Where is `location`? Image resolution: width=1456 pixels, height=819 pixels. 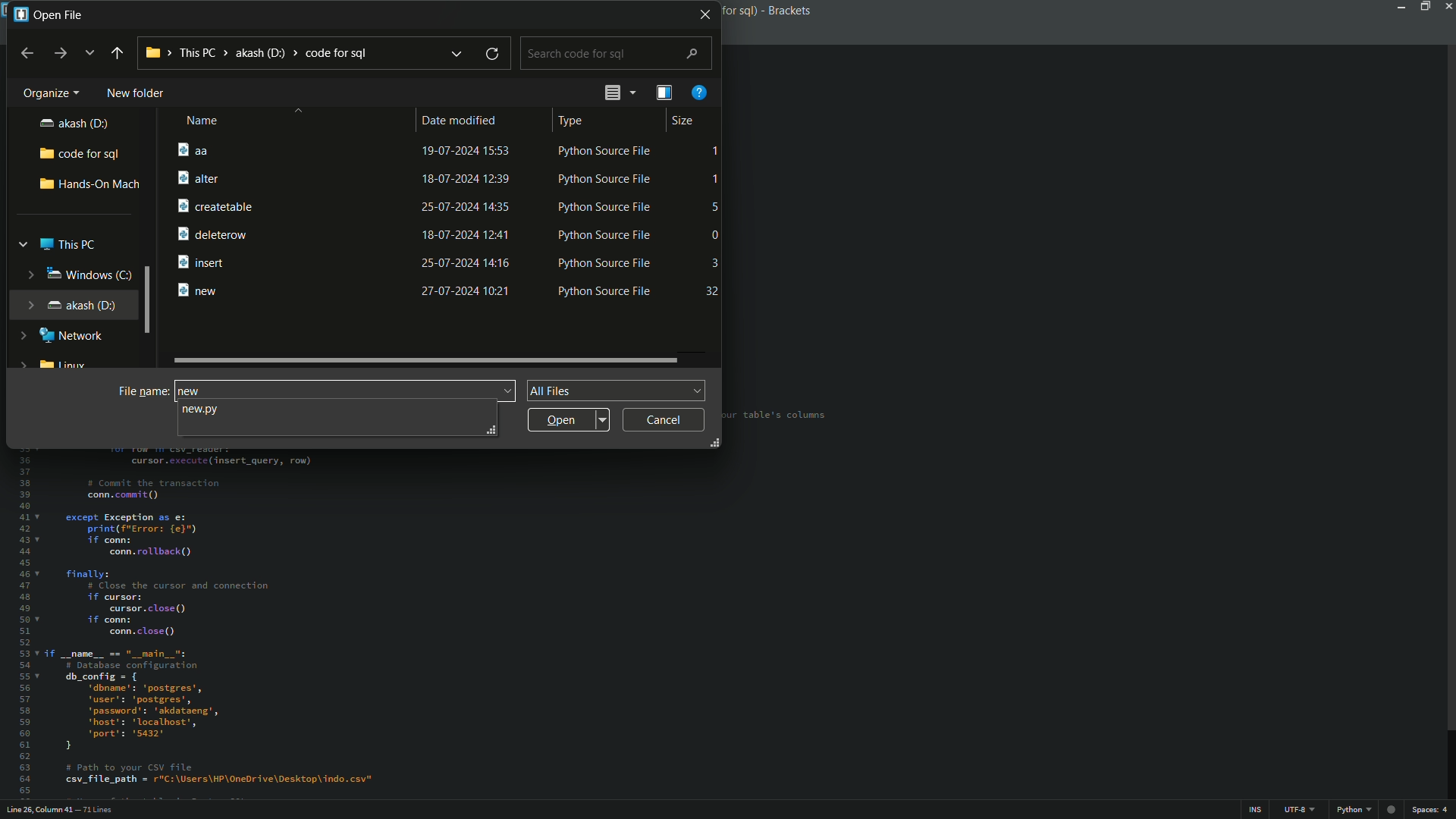 location is located at coordinates (256, 53).